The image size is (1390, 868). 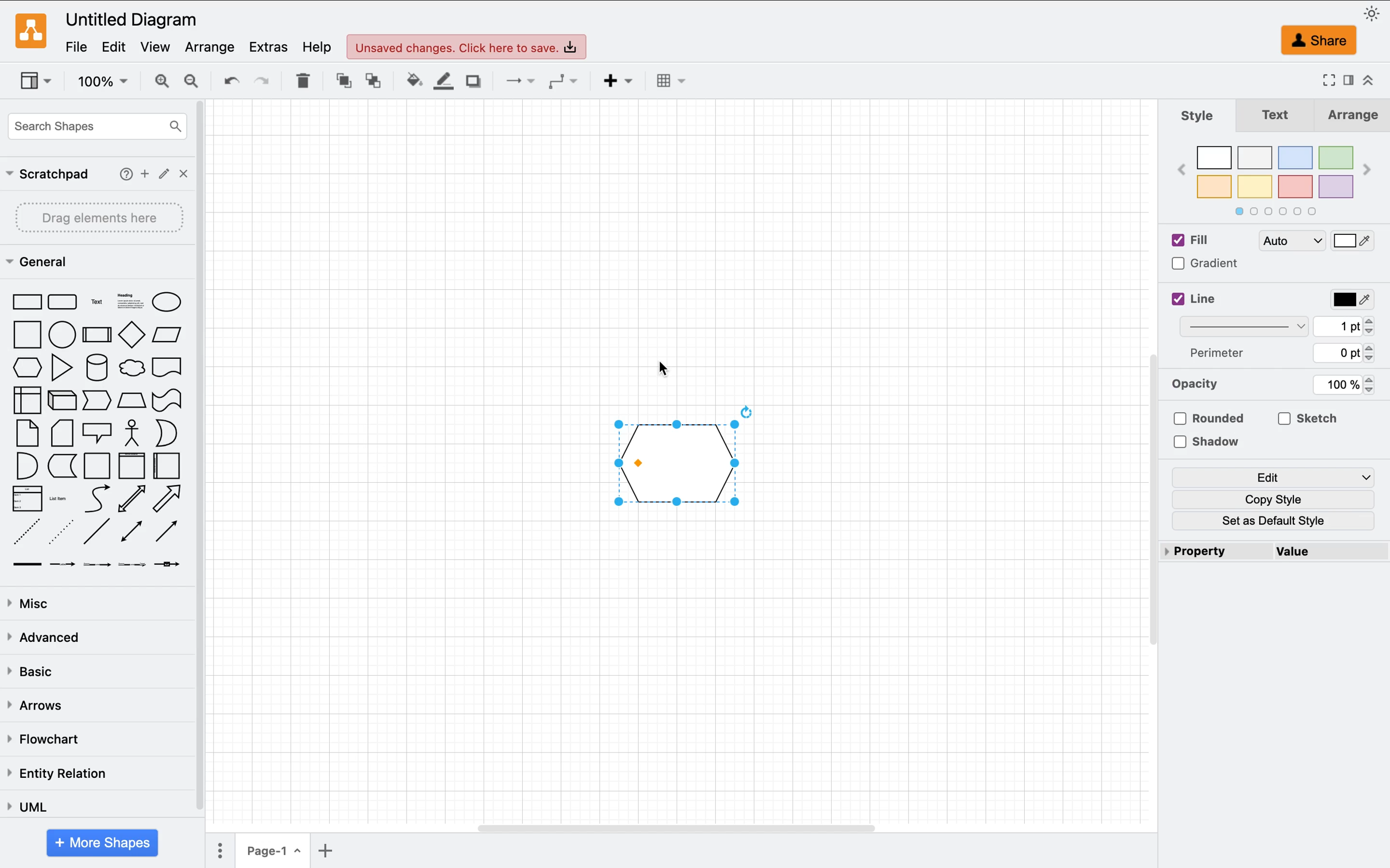 What do you see at coordinates (303, 81) in the screenshot?
I see `table` at bounding box center [303, 81].